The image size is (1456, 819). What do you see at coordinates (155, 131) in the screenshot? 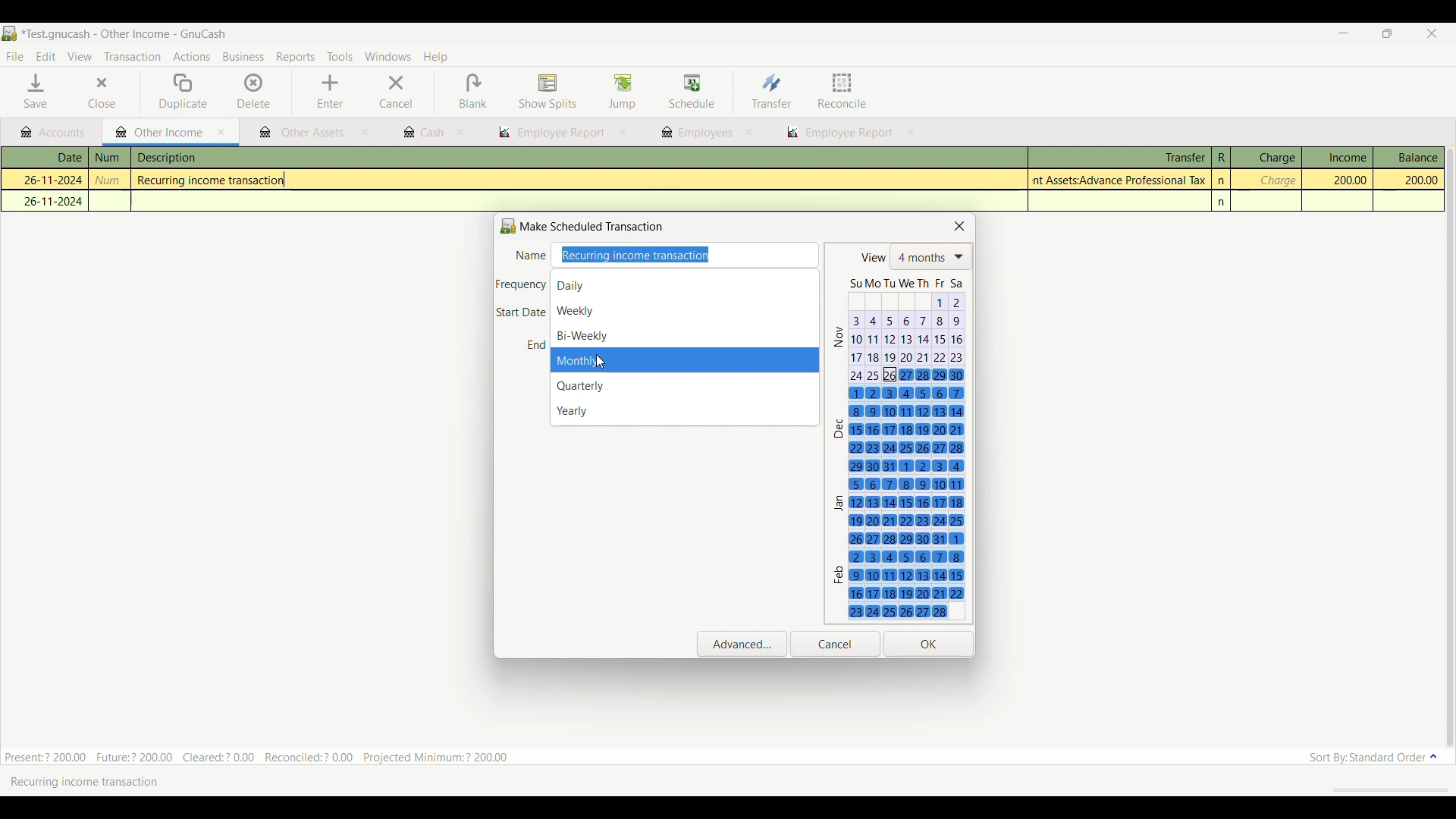
I see `Current tab highlight` at bounding box center [155, 131].